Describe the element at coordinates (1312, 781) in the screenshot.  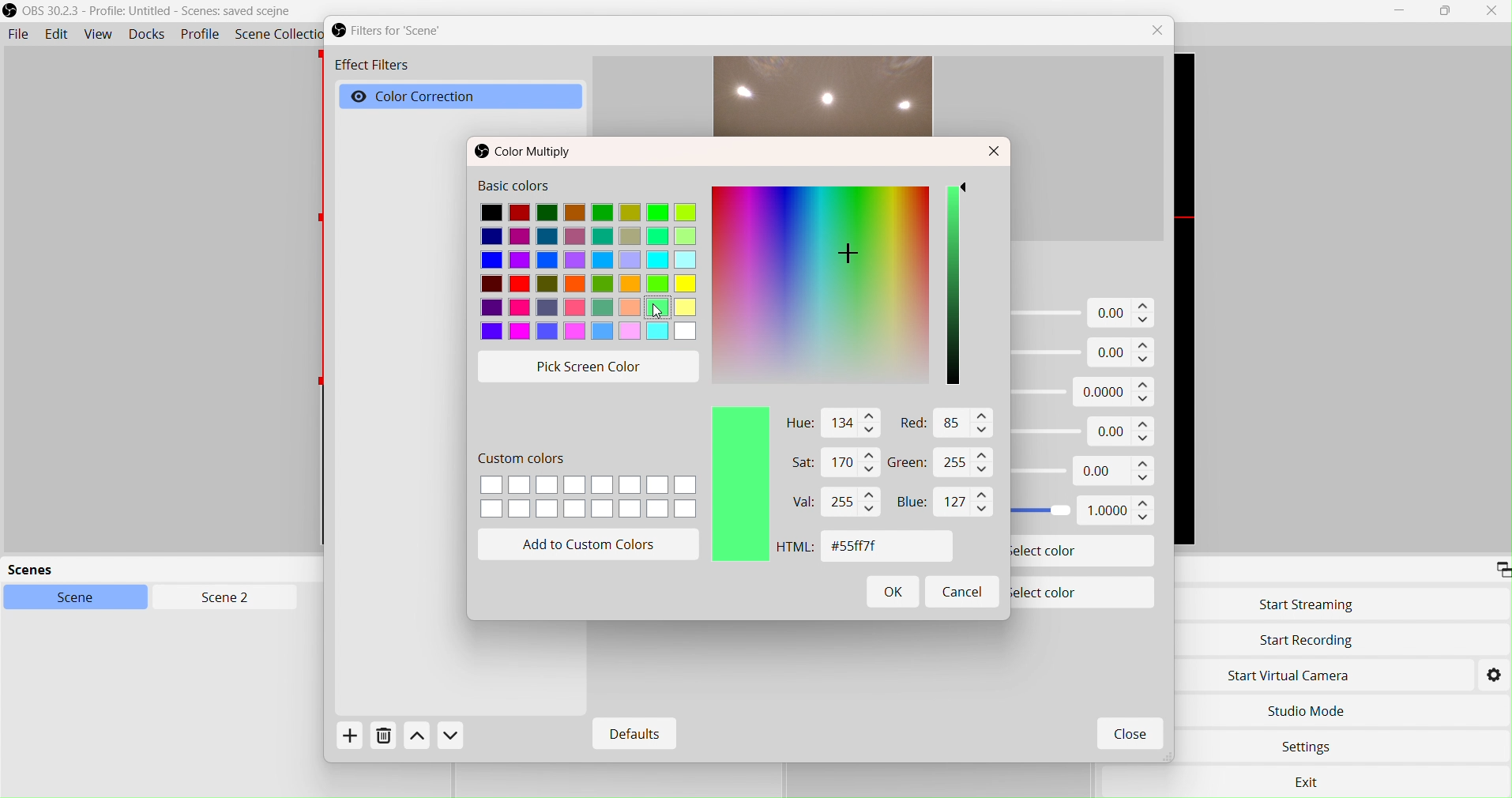
I see `exit` at that location.